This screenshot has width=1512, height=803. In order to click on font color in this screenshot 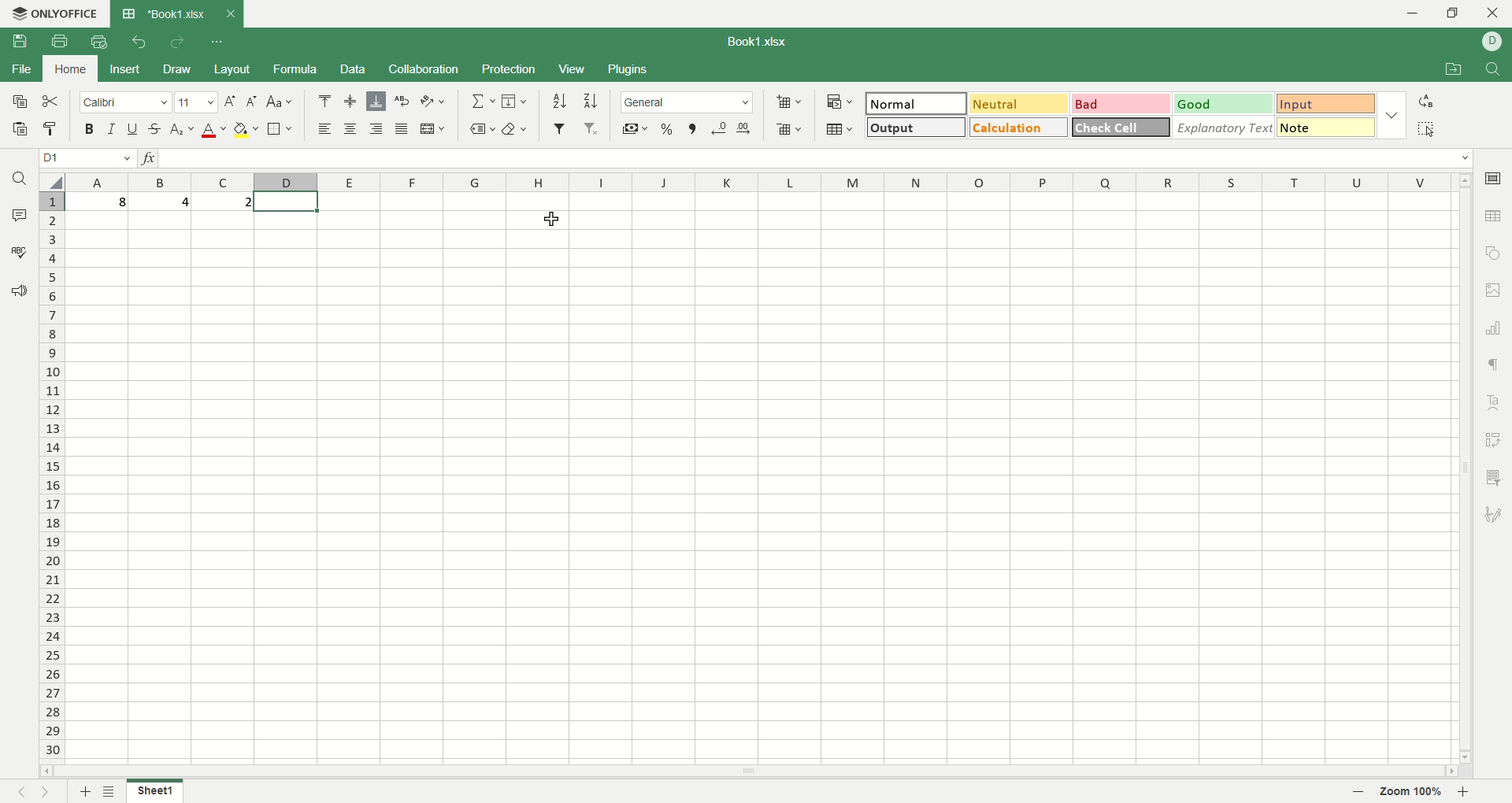, I will do `click(214, 131)`.